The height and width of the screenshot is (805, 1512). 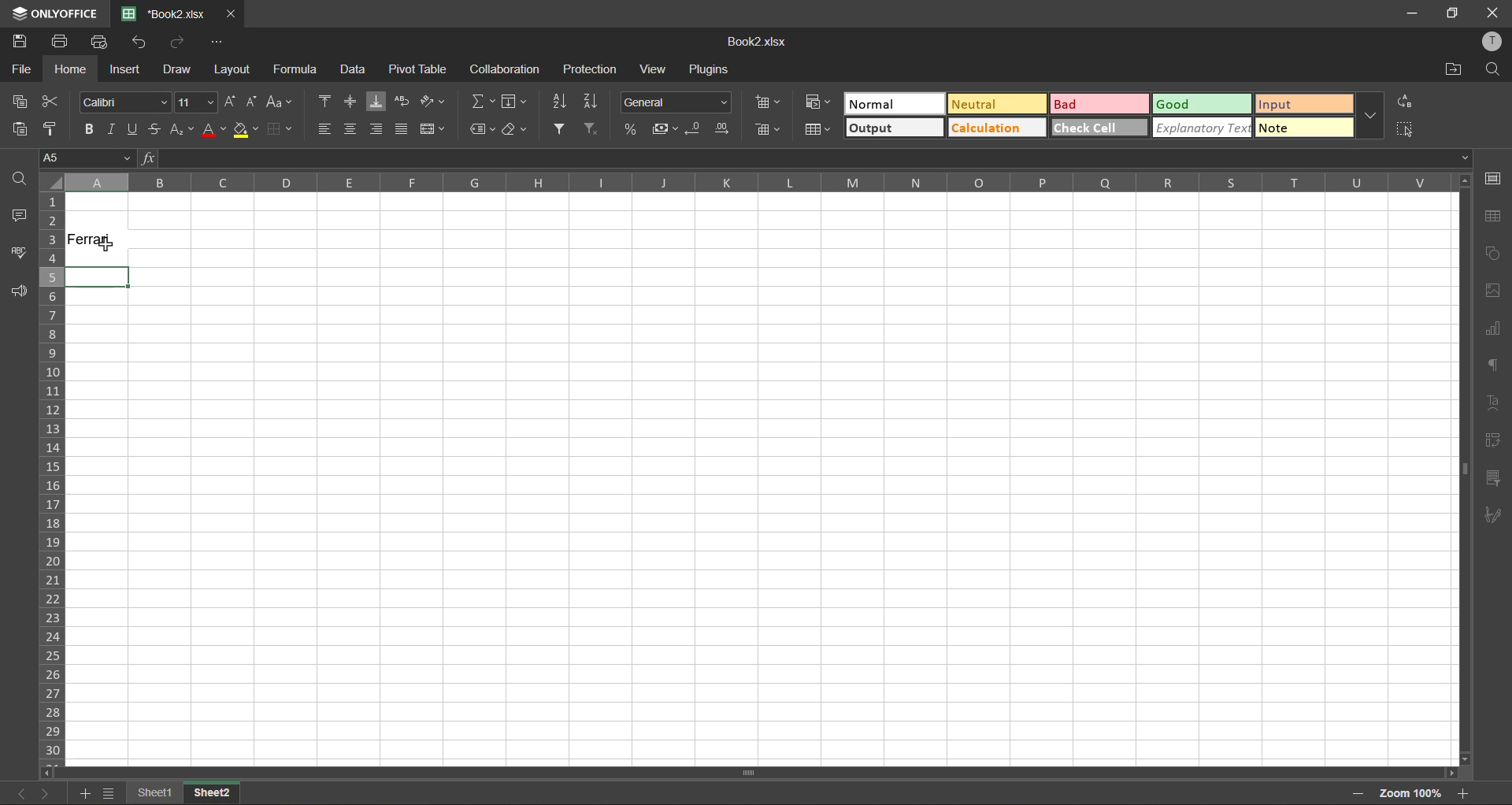 What do you see at coordinates (802, 161) in the screenshot?
I see `formula bar` at bounding box center [802, 161].